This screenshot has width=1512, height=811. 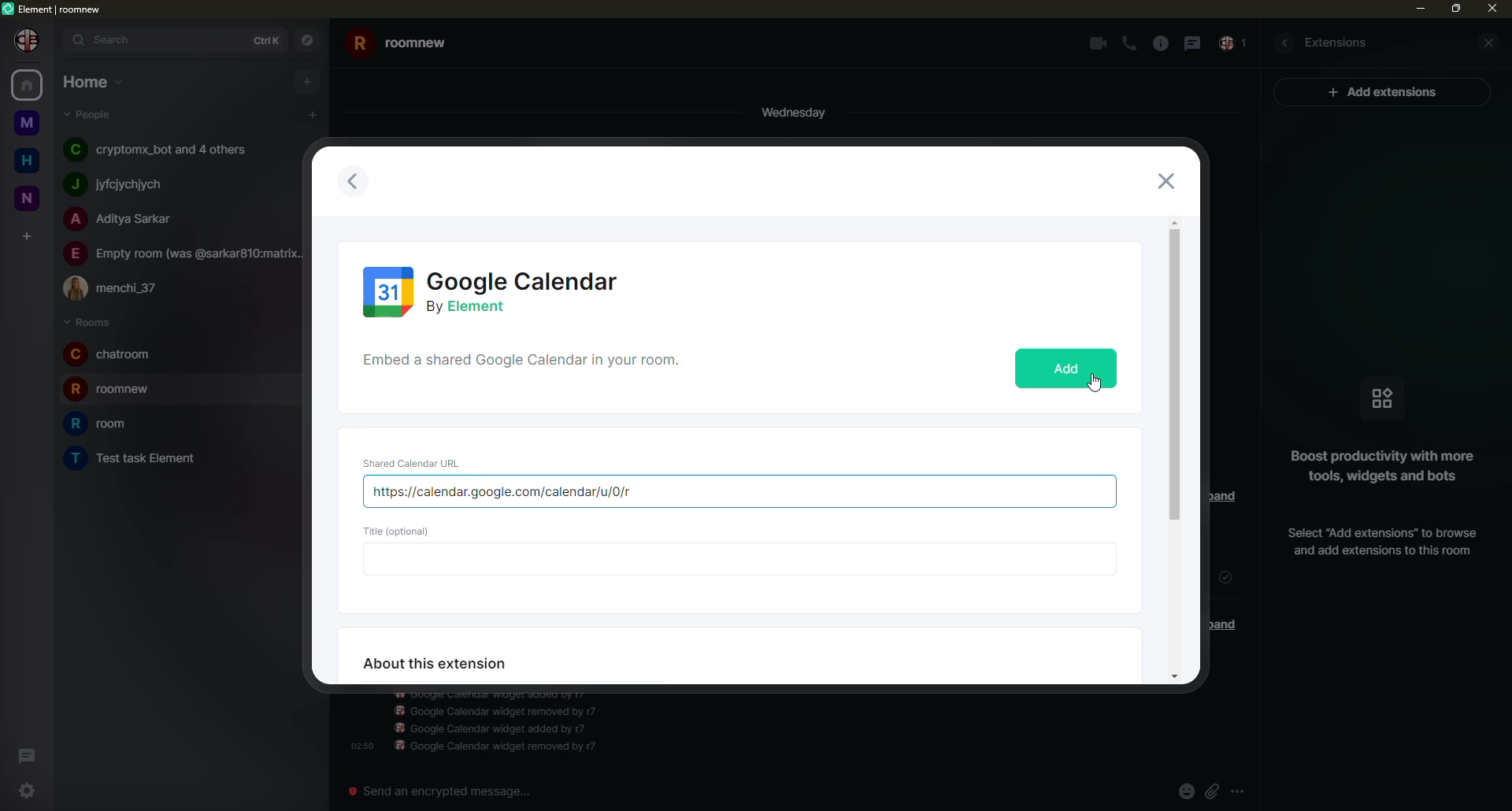 I want to click on message, so click(x=1195, y=44).